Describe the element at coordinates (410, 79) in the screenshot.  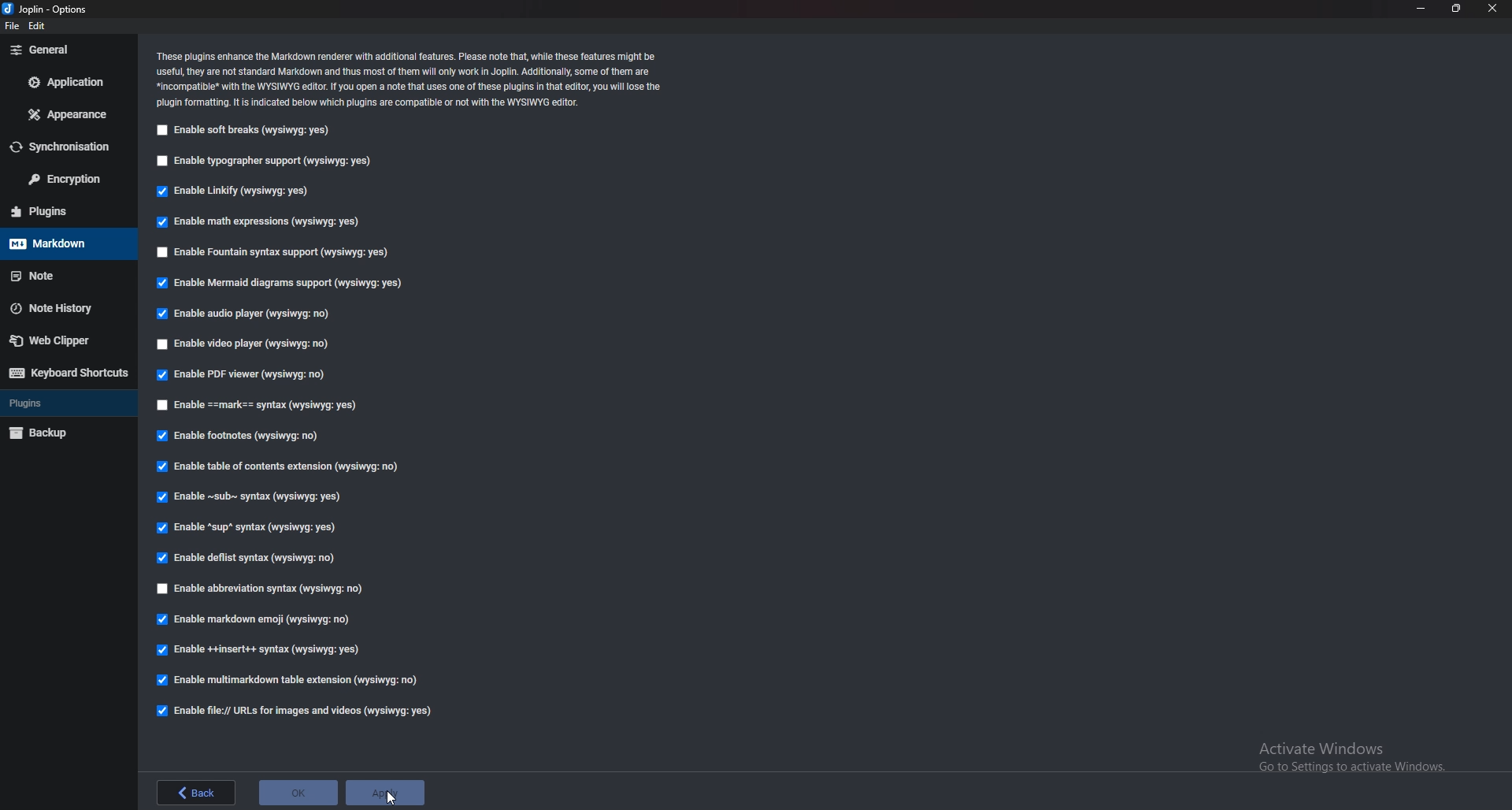
I see `markdown Info` at that location.